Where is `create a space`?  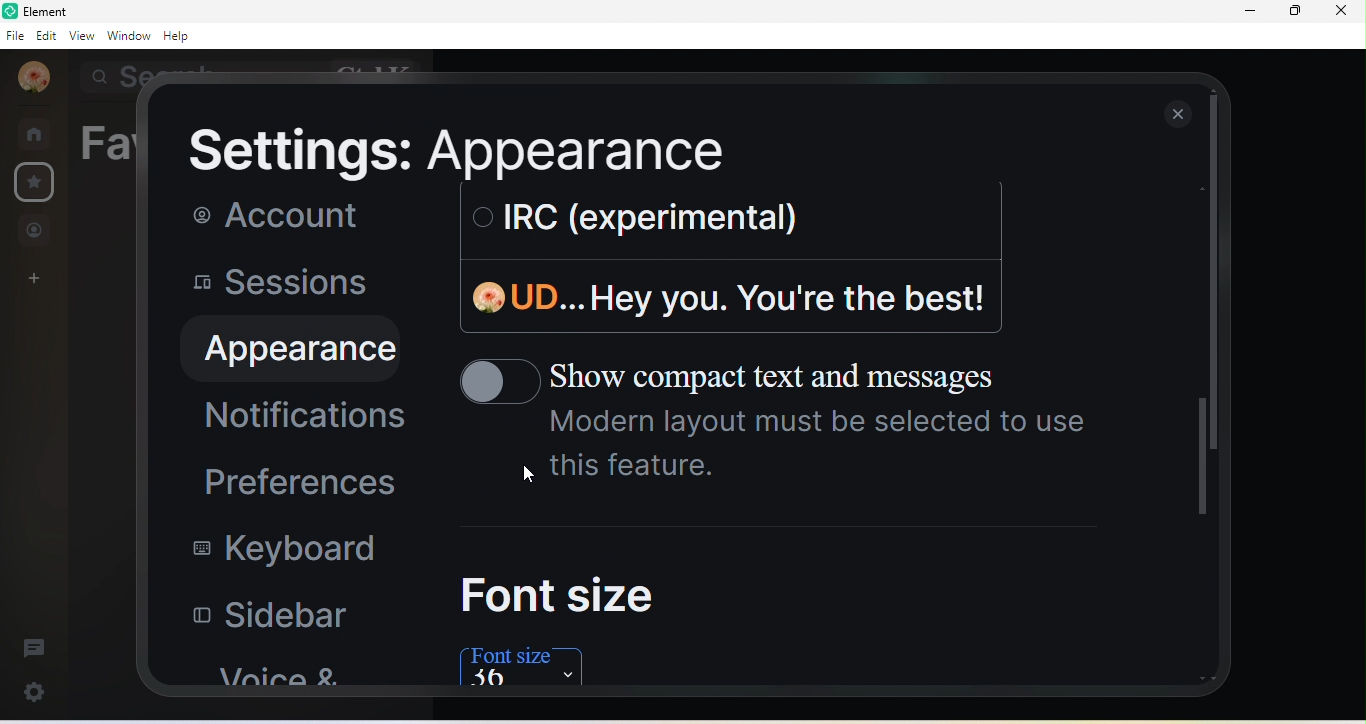
create a space is located at coordinates (35, 280).